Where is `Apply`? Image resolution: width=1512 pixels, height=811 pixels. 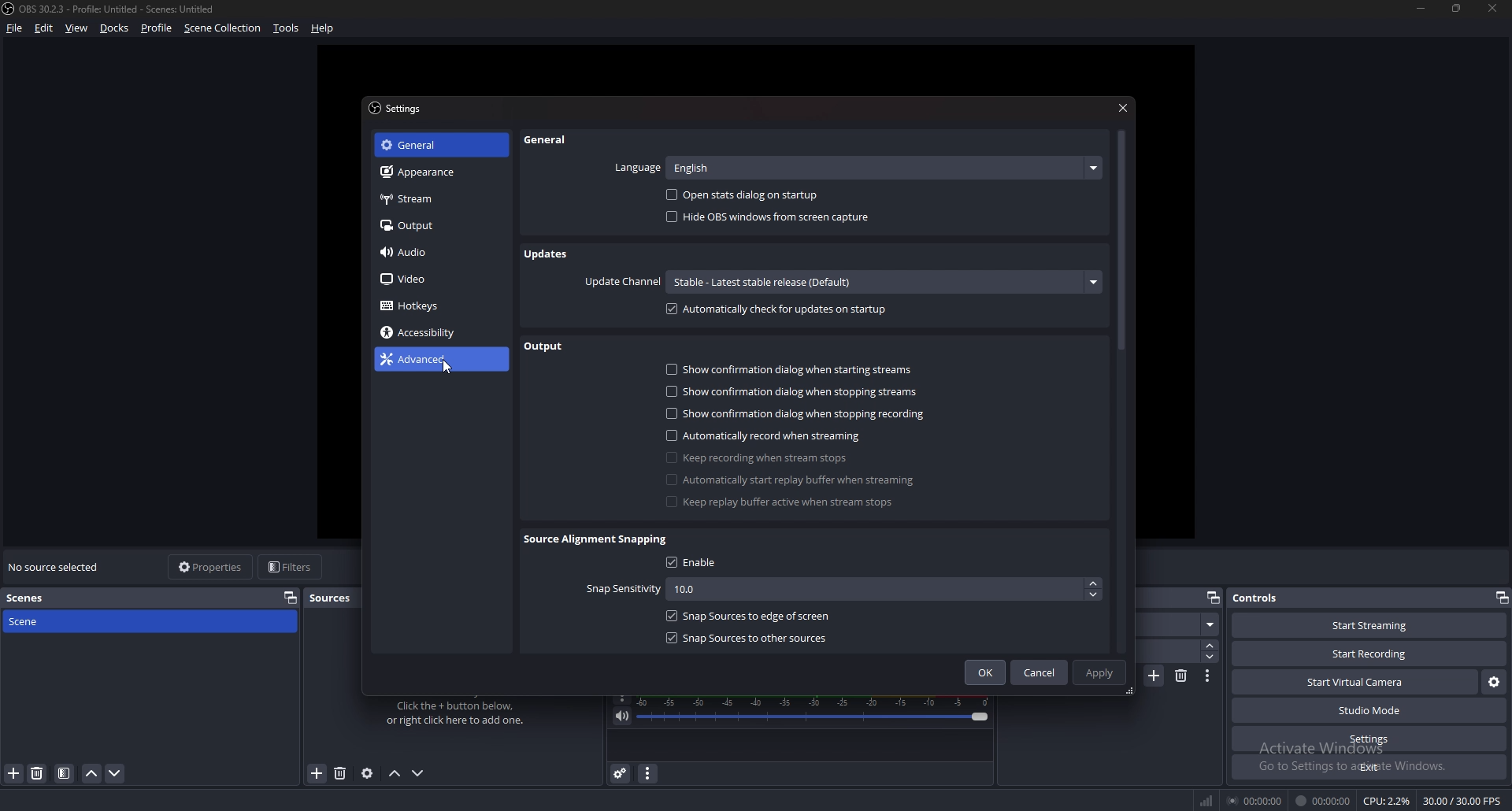 Apply is located at coordinates (1102, 672).